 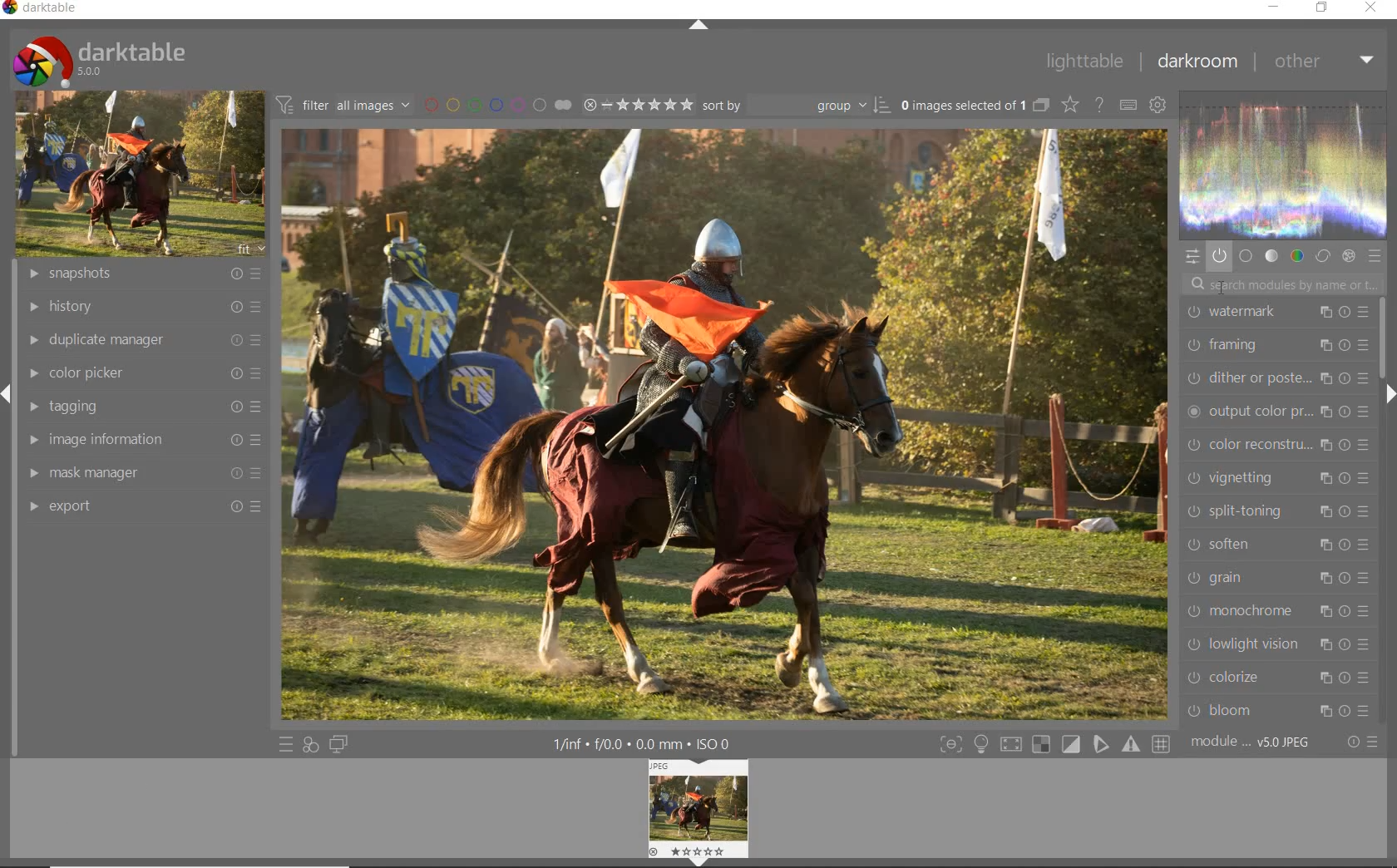 What do you see at coordinates (649, 741) in the screenshot?
I see `1/fnf f/0.0 0.0 mm ISO 0` at bounding box center [649, 741].